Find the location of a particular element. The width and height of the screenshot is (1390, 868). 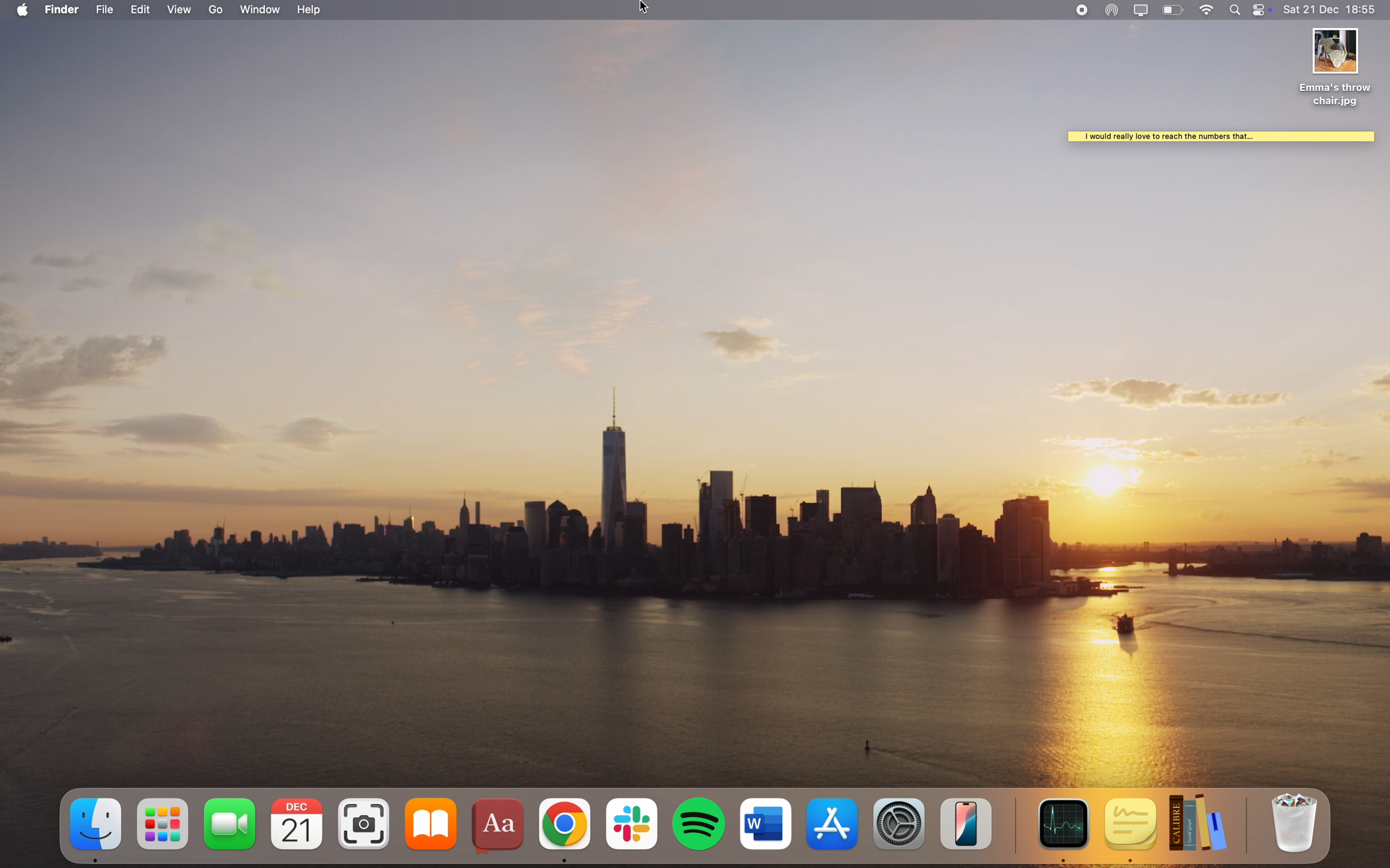

spotlight search is located at coordinates (1237, 9).